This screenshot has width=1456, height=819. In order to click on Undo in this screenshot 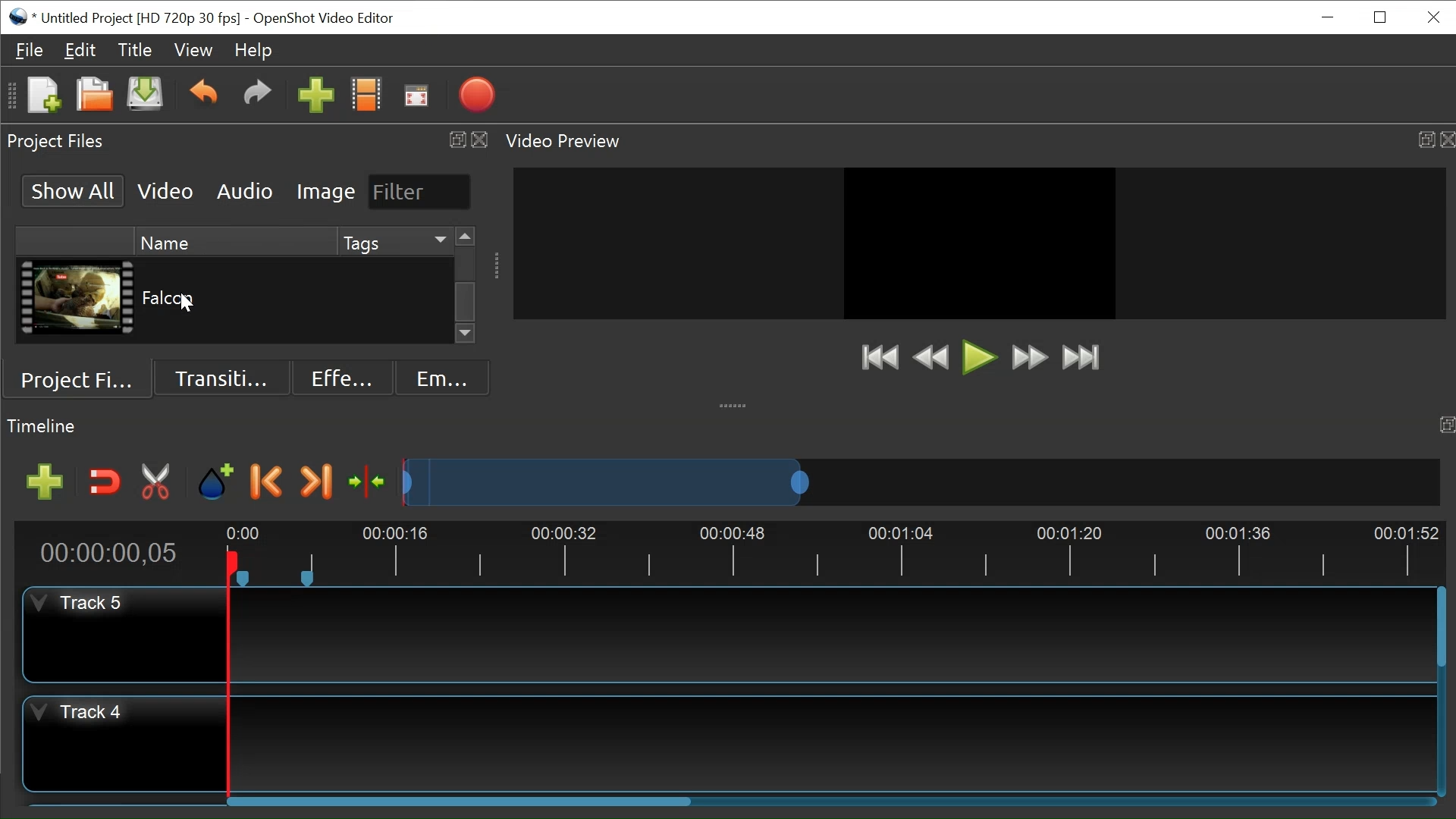, I will do `click(203, 95)`.